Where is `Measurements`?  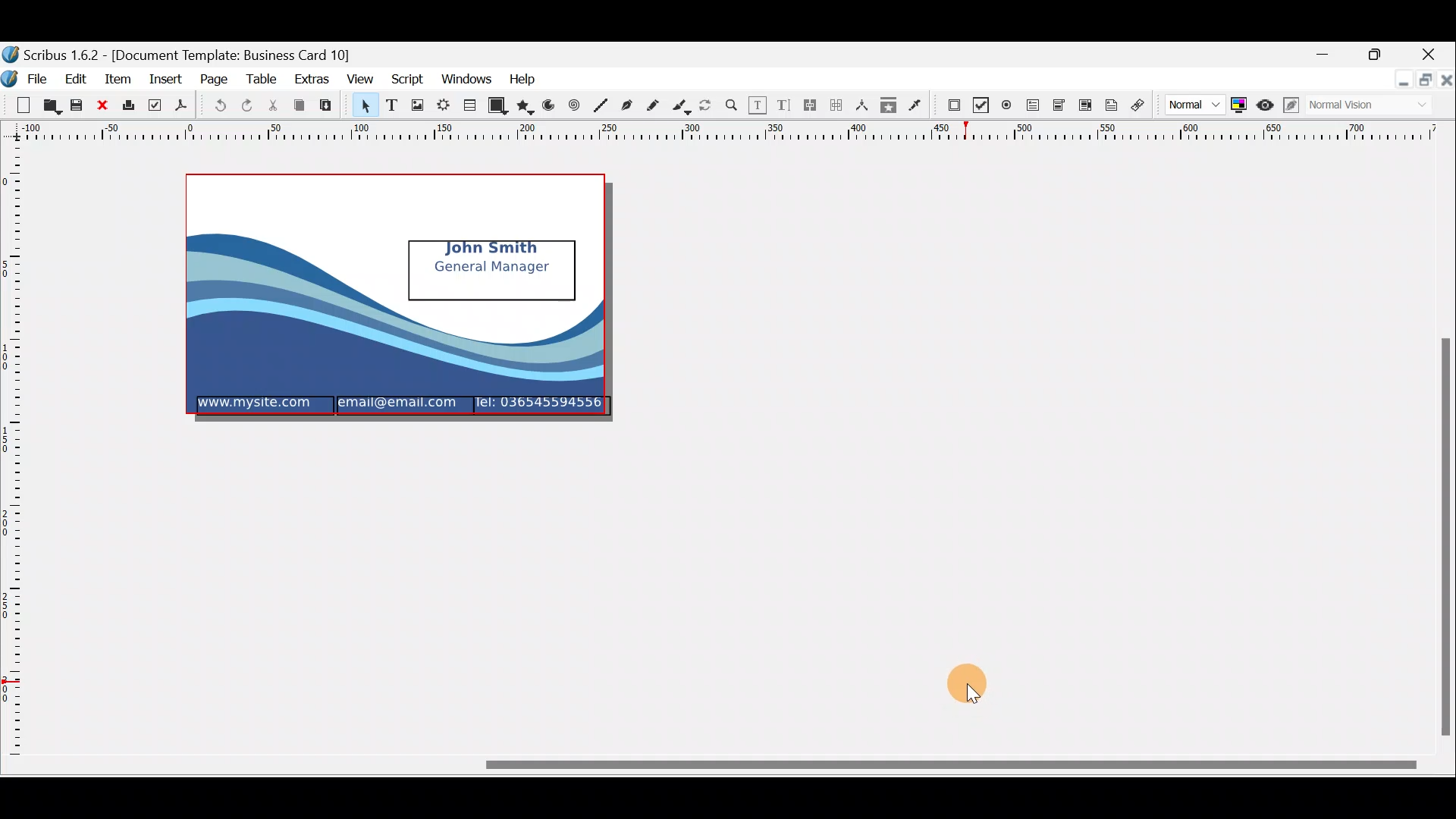 Measurements is located at coordinates (863, 105).